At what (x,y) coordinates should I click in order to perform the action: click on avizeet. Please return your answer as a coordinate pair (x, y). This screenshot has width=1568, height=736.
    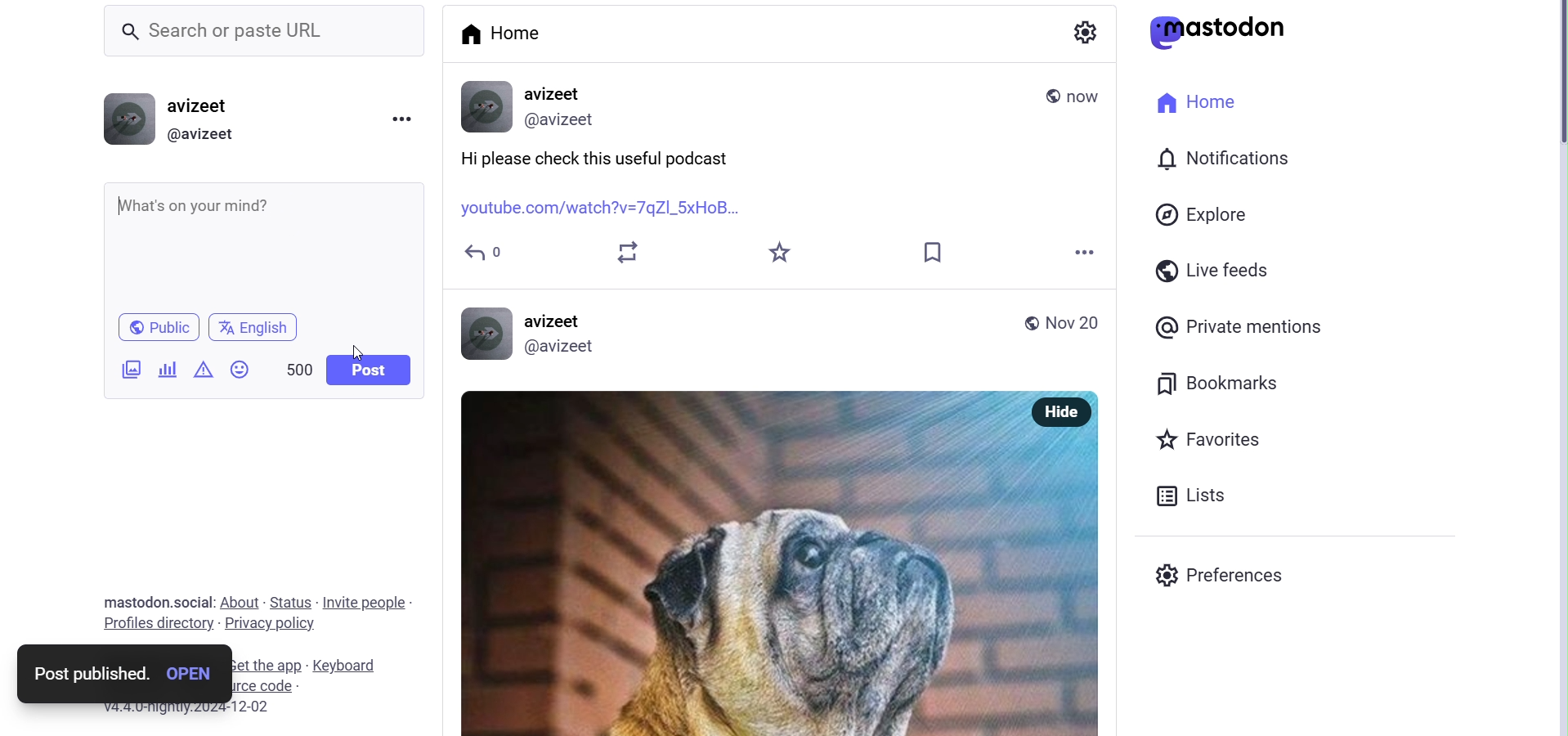
    Looking at the image, I should click on (558, 95).